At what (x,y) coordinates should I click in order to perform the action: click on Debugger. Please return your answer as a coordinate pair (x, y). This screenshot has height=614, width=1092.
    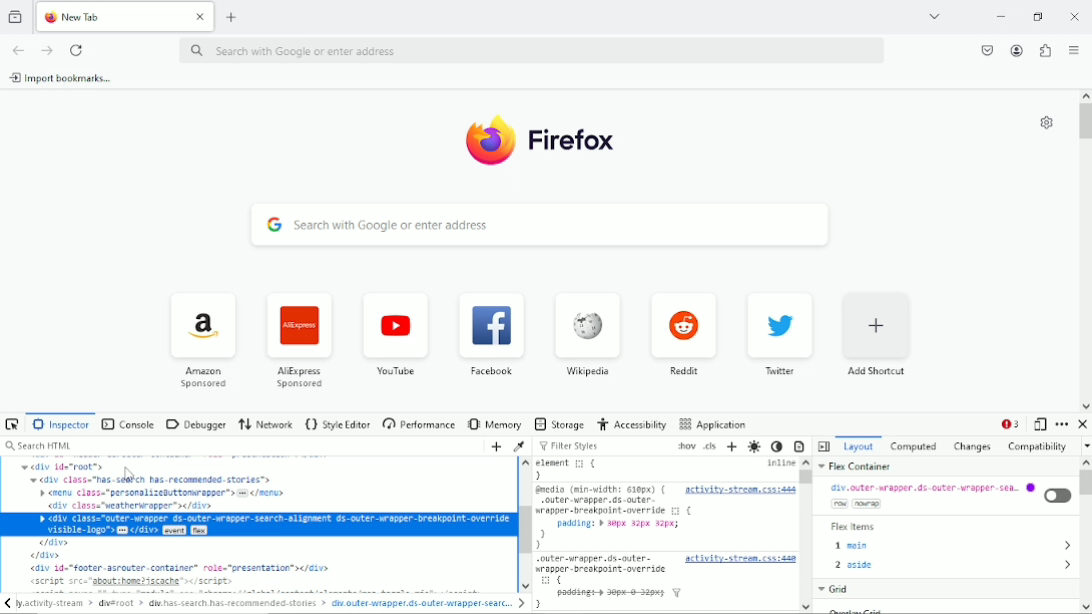
    Looking at the image, I should click on (195, 423).